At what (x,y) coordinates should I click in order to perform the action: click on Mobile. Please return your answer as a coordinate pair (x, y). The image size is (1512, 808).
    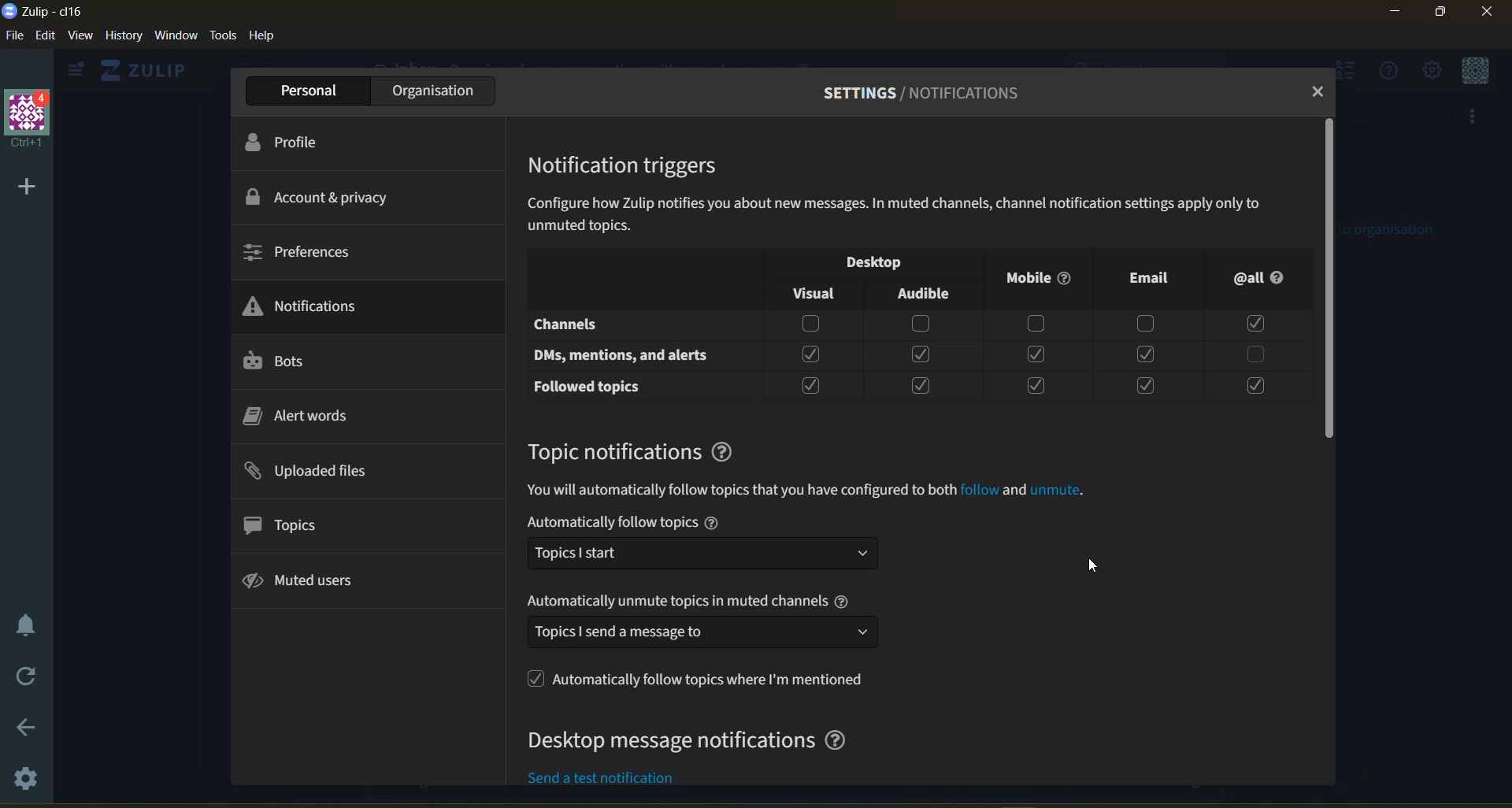
    Looking at the image, I should click on (1039, 278).